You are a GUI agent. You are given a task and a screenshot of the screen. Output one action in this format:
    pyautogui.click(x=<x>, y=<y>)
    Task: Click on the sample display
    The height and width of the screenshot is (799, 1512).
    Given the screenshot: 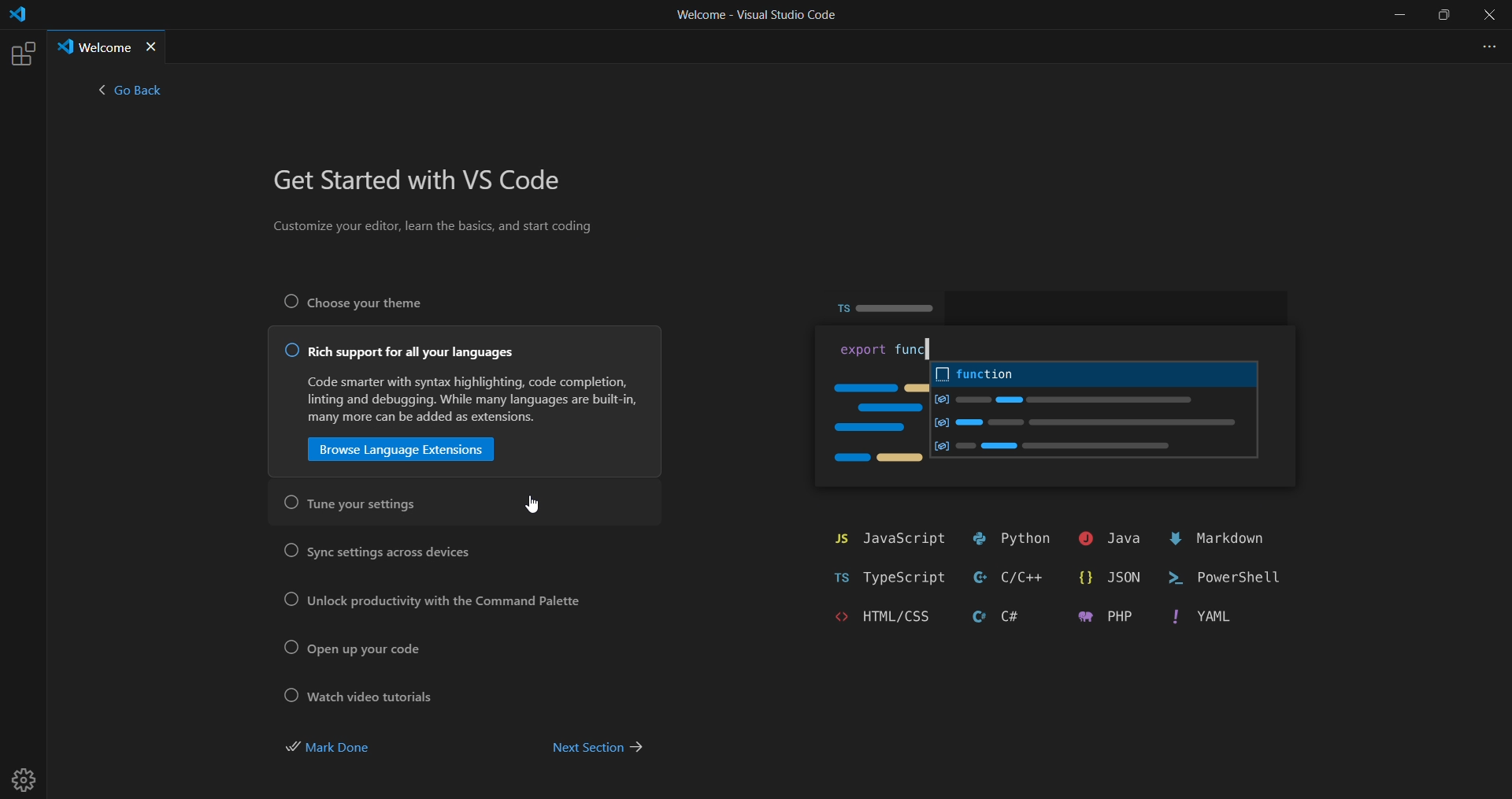 What is the action you would take?
    pyautogui.click(x=1065, y=395)
    